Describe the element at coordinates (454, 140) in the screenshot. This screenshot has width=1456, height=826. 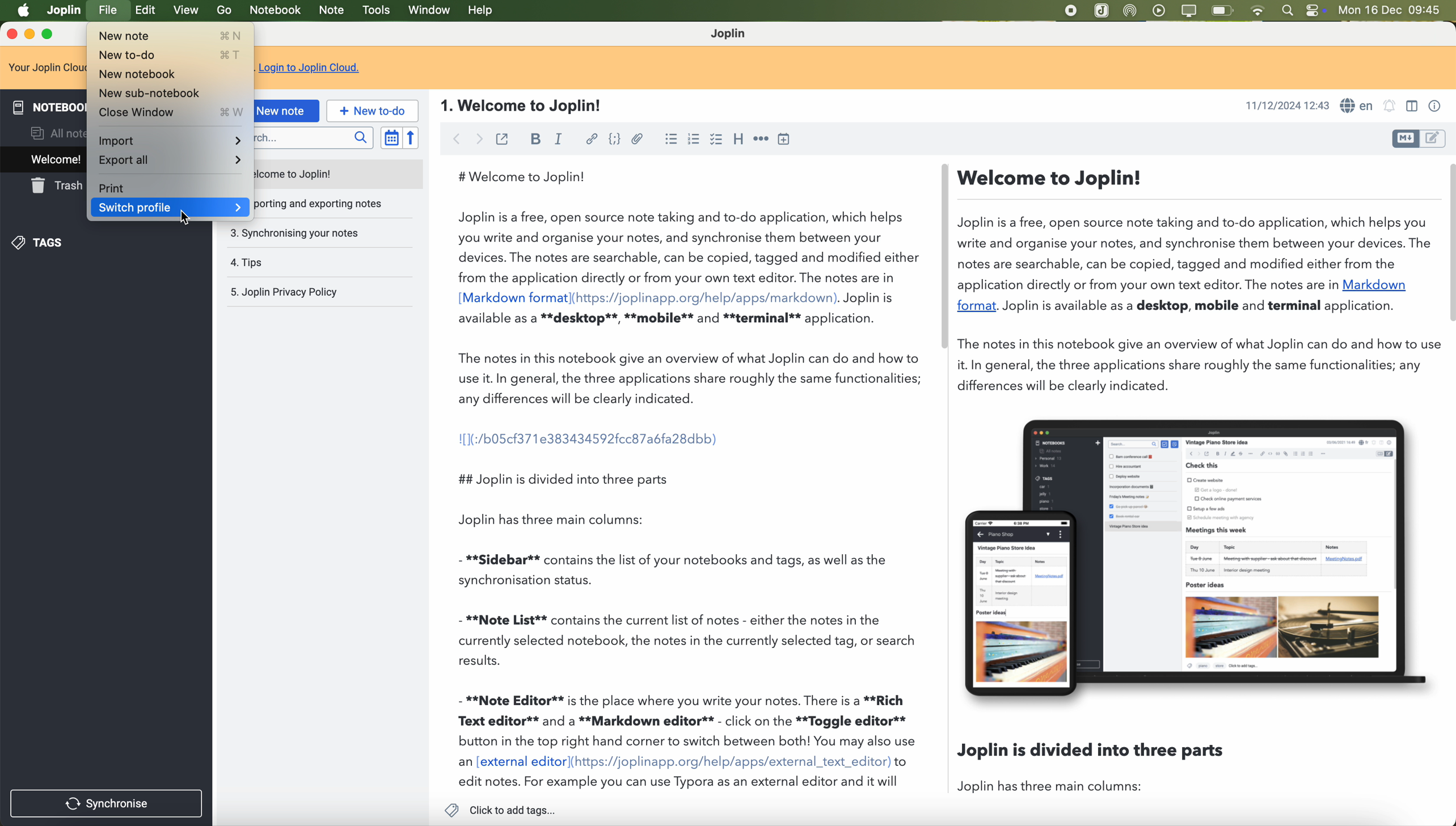
I see `back` at that location.